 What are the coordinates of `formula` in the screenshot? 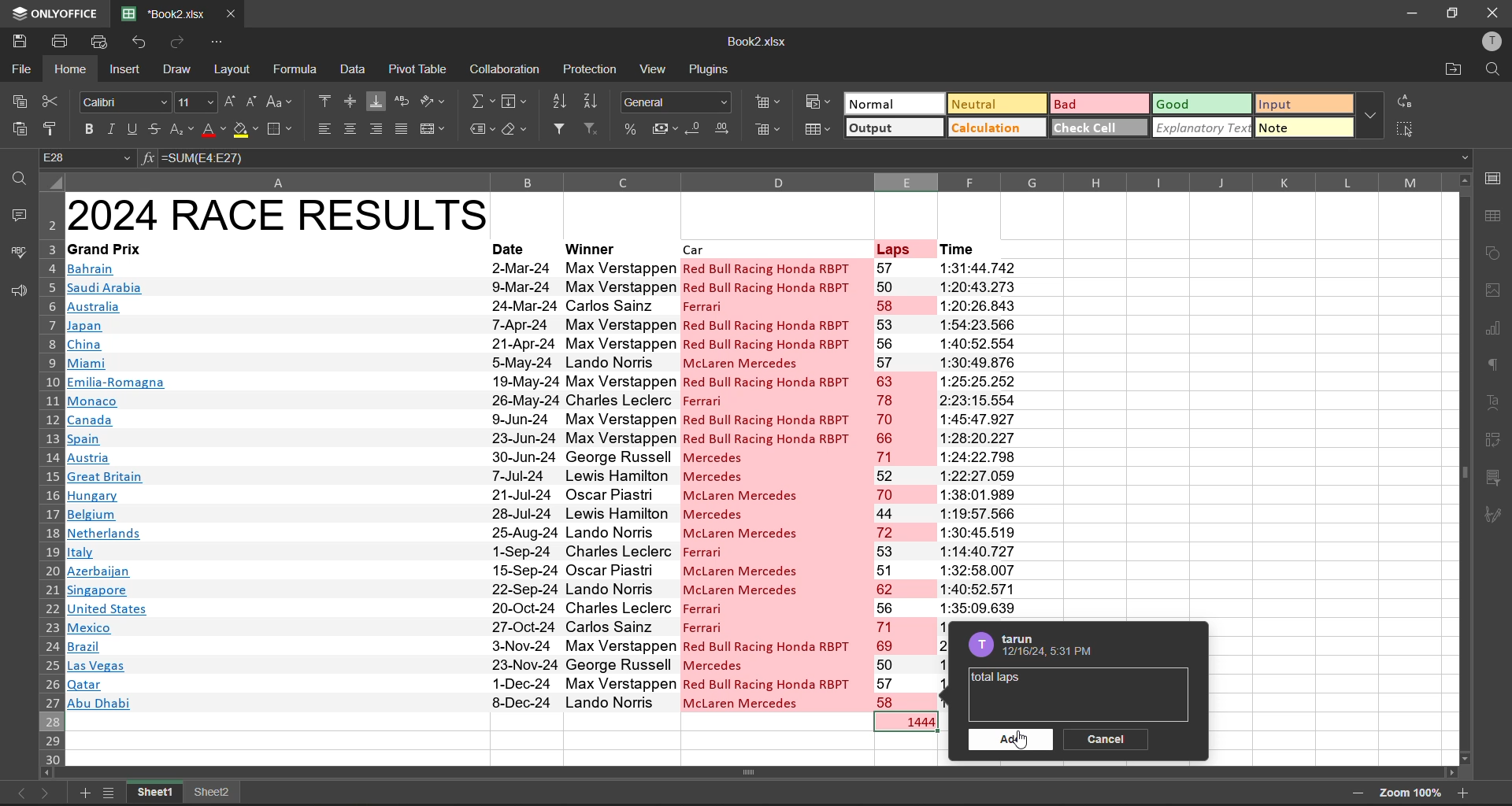 It's located at (294, 69).